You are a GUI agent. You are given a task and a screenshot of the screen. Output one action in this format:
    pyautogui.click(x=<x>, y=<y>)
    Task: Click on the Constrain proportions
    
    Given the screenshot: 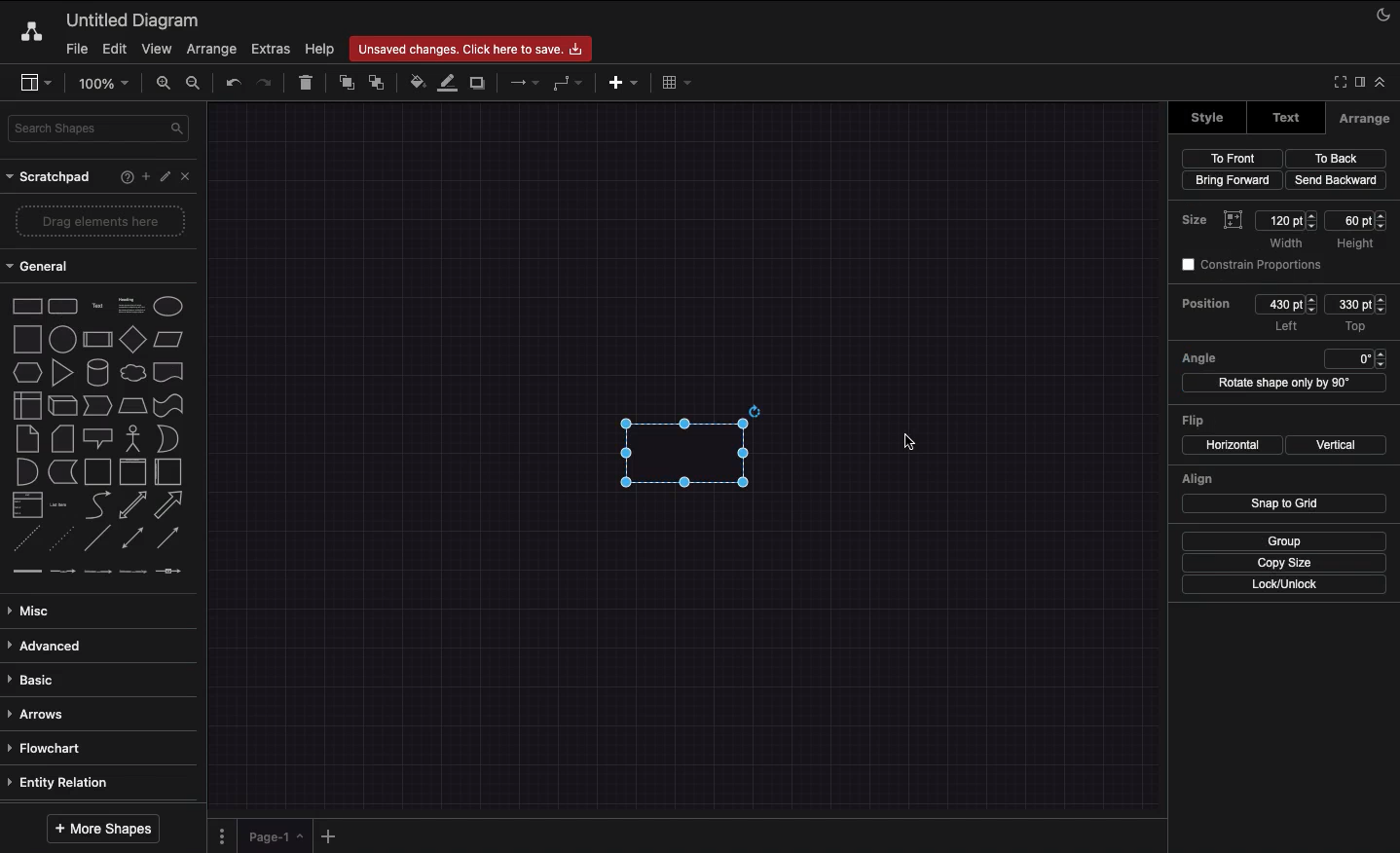 What is the action you would take?
    pyautogui.click(x=1257, y=267)
    